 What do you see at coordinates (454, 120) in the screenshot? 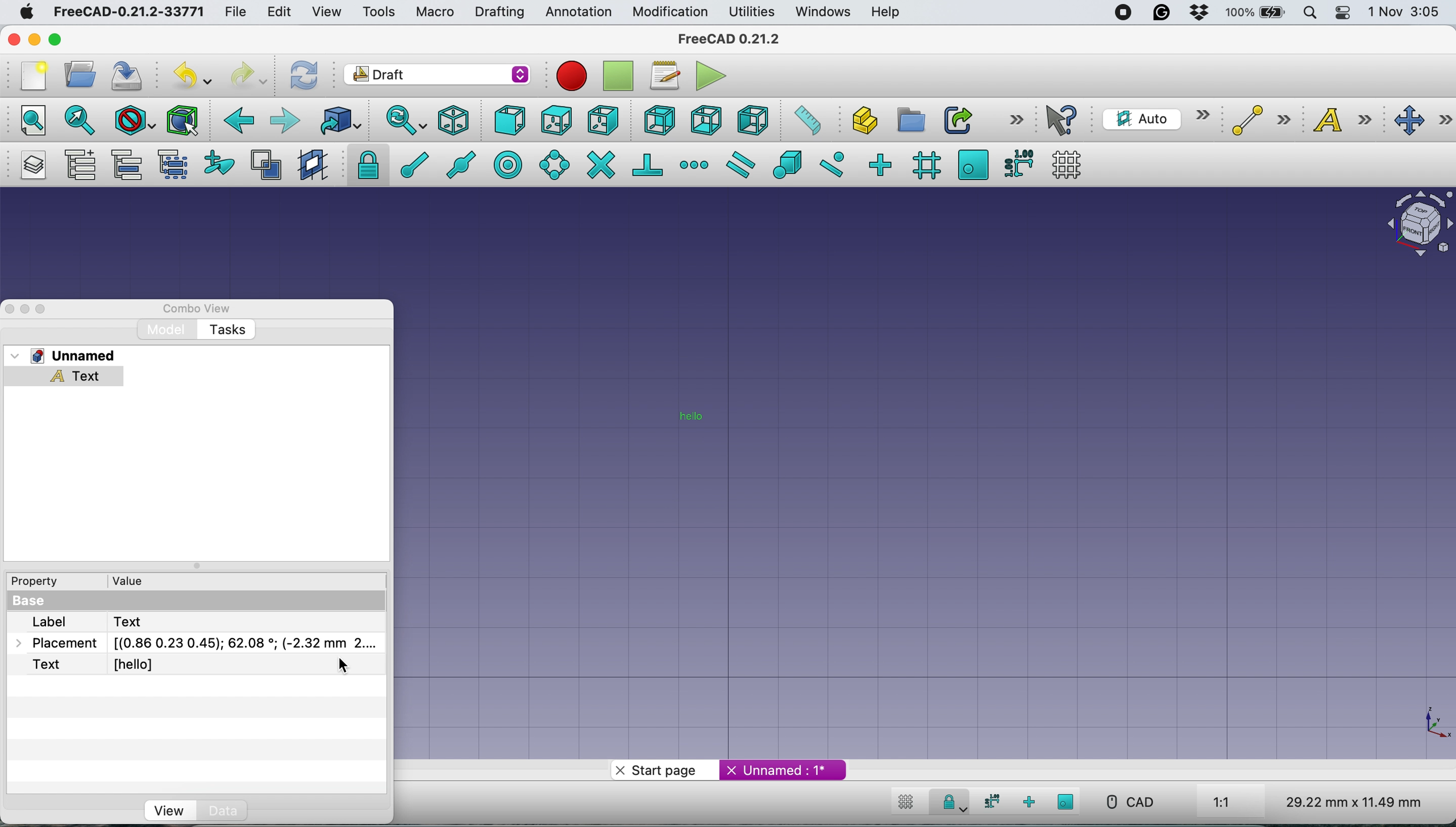
I see `isometric` at bounding box center [454, 120].